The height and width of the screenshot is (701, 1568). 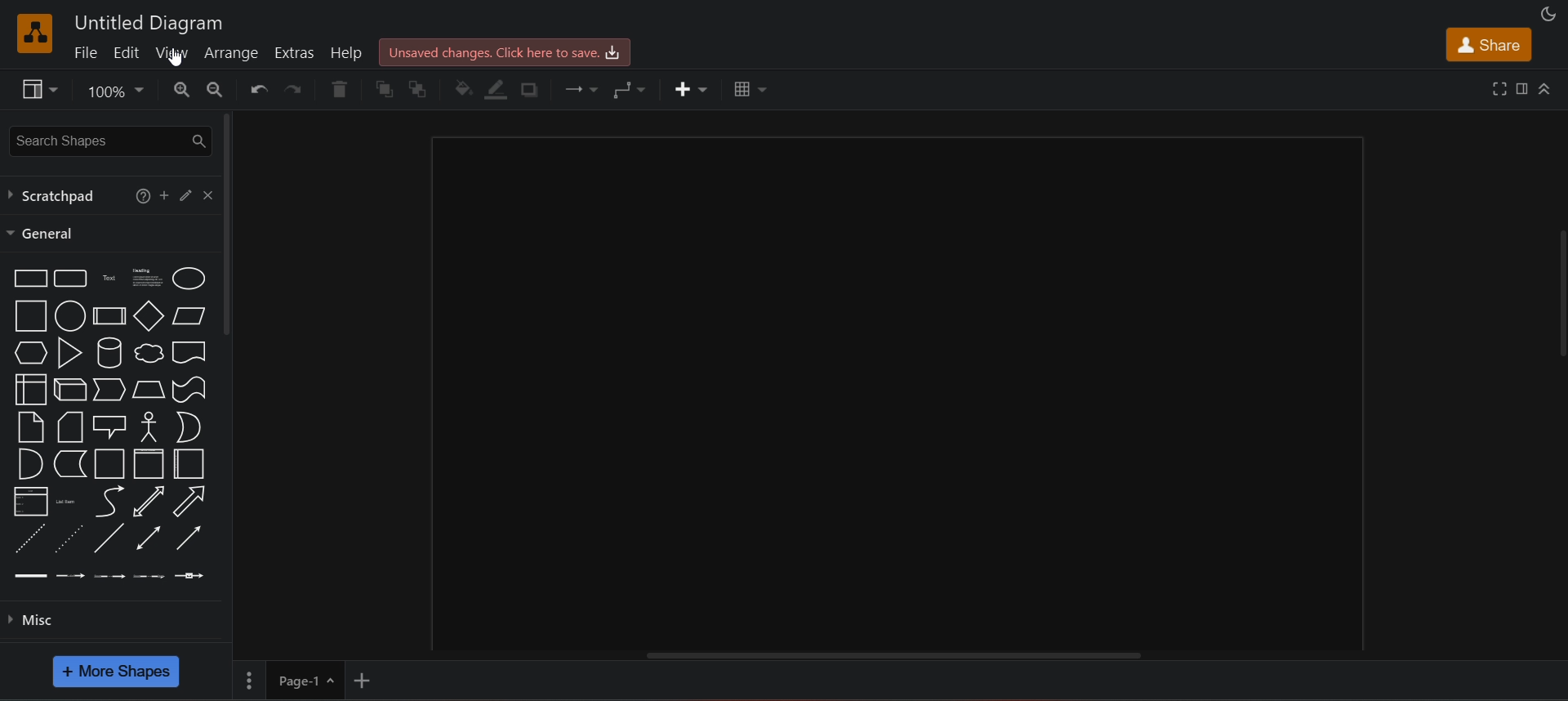 I want to click on help, so click(x=346, y=51).